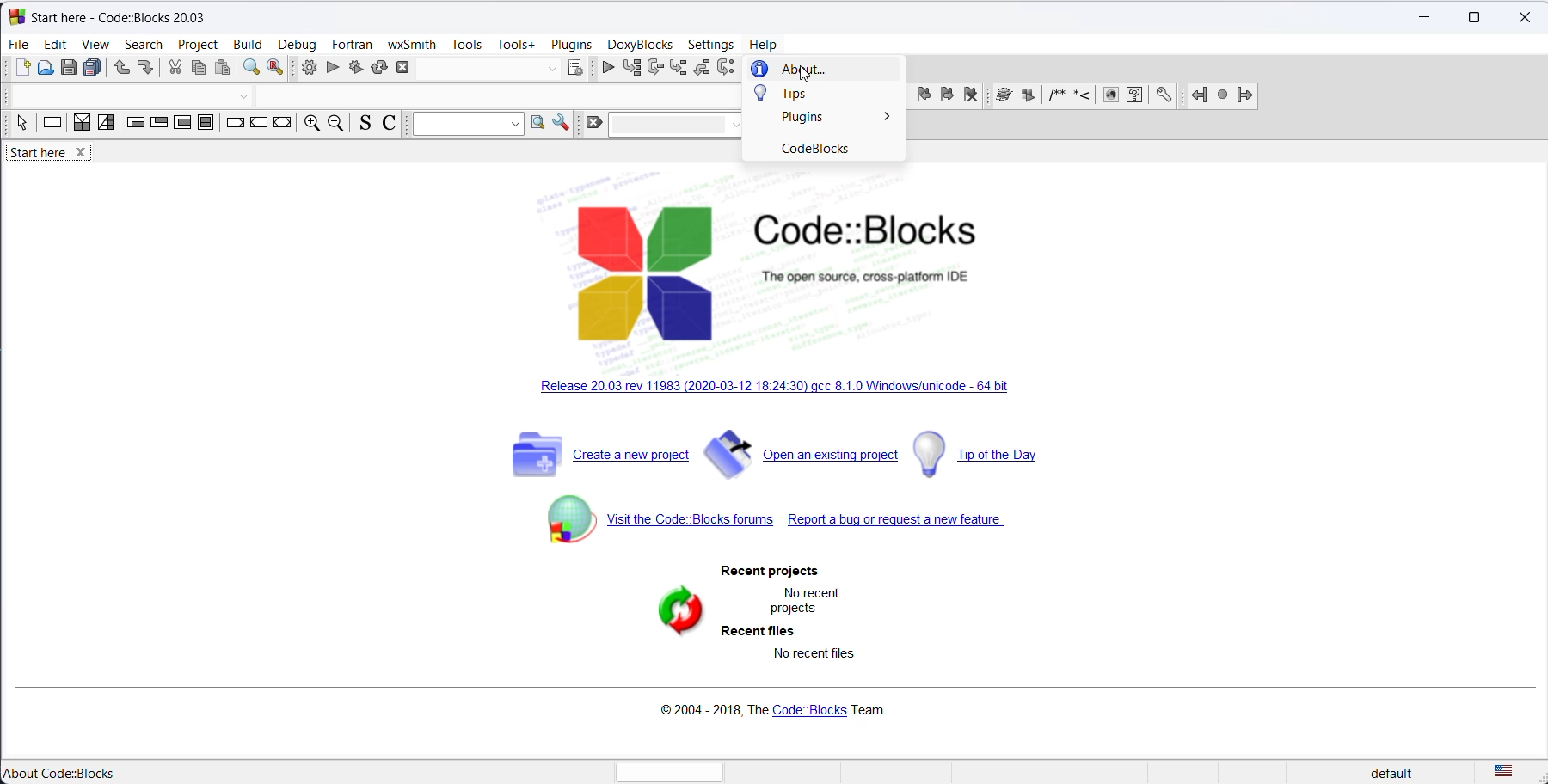 Image resolution: width=1548 pixels, height=784 pixels. I want to click on Insert comment block, so click(1059, 97).